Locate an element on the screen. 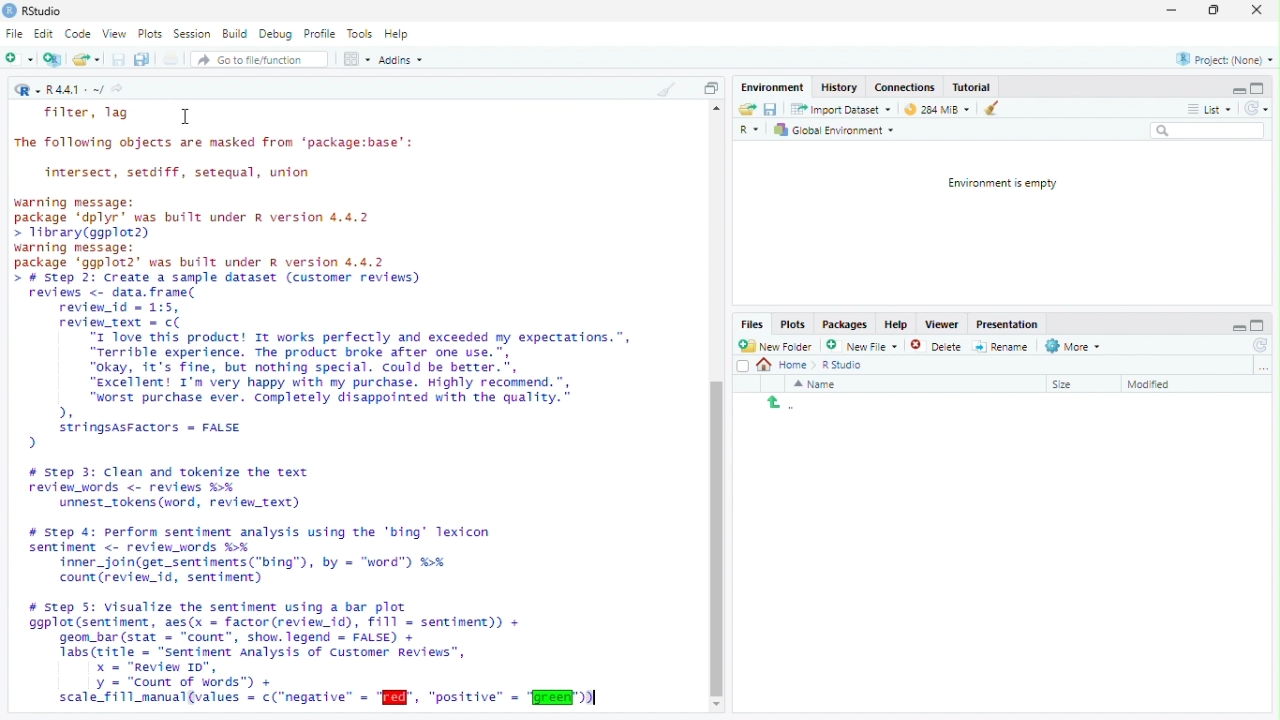 The height and width of the screenshot is (720, 1280). Clean is located at coordinates (987, 108).